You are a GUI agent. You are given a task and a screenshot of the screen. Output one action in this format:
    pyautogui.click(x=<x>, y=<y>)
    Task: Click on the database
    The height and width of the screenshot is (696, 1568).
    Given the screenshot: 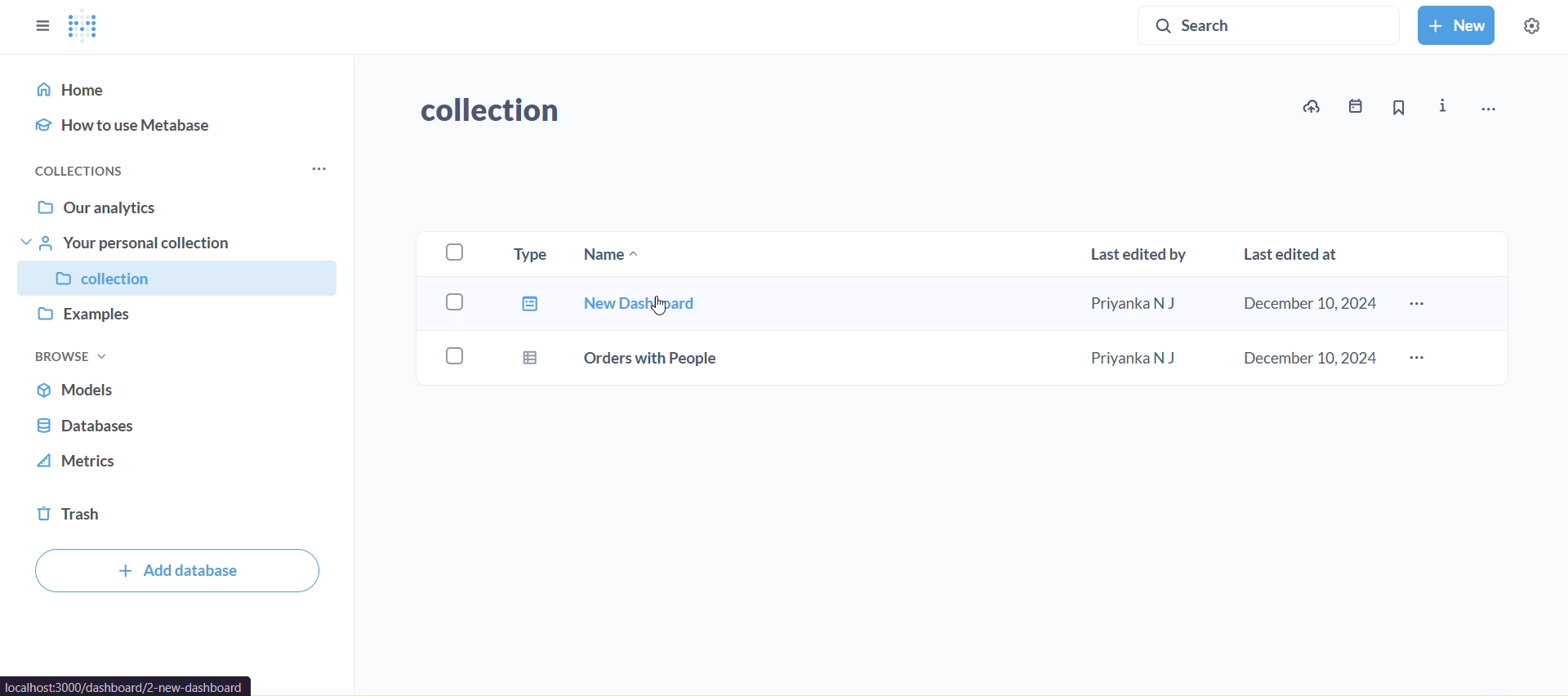 What is the action you would take?
    pyautogui.click(x=182, y=425)
    